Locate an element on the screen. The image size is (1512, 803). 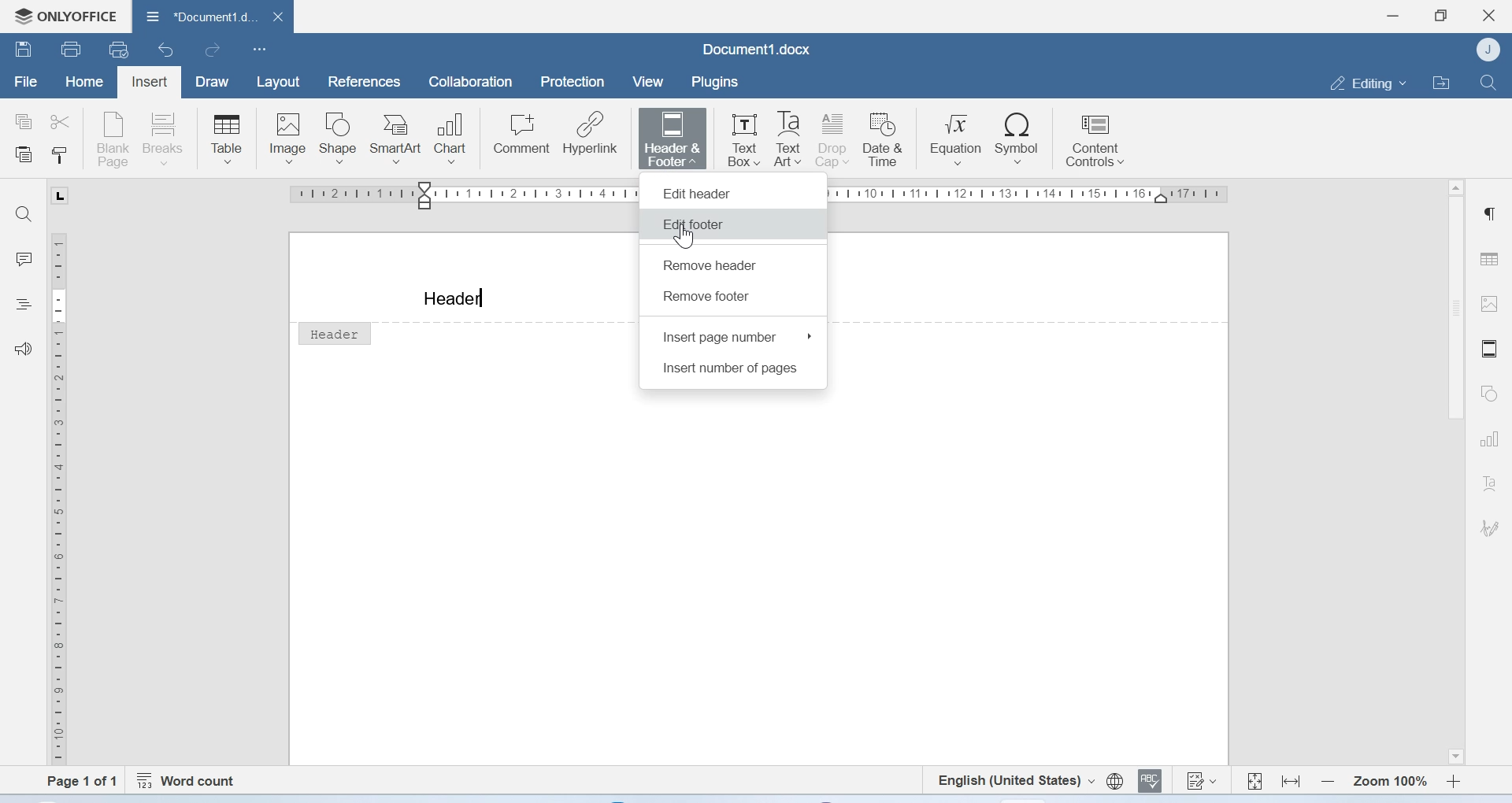
Copy style is located at coordinates (58, 157).